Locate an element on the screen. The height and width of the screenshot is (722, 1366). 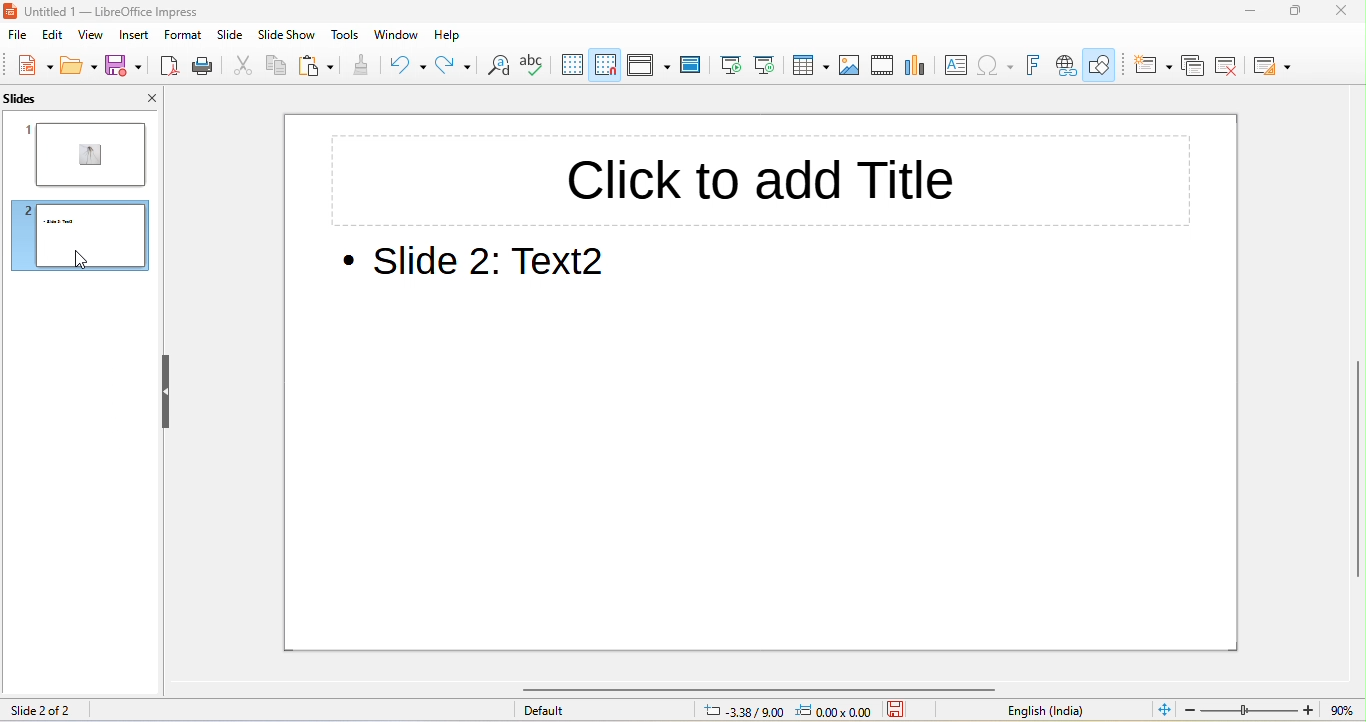
redo is located at coordinates (456, 67).